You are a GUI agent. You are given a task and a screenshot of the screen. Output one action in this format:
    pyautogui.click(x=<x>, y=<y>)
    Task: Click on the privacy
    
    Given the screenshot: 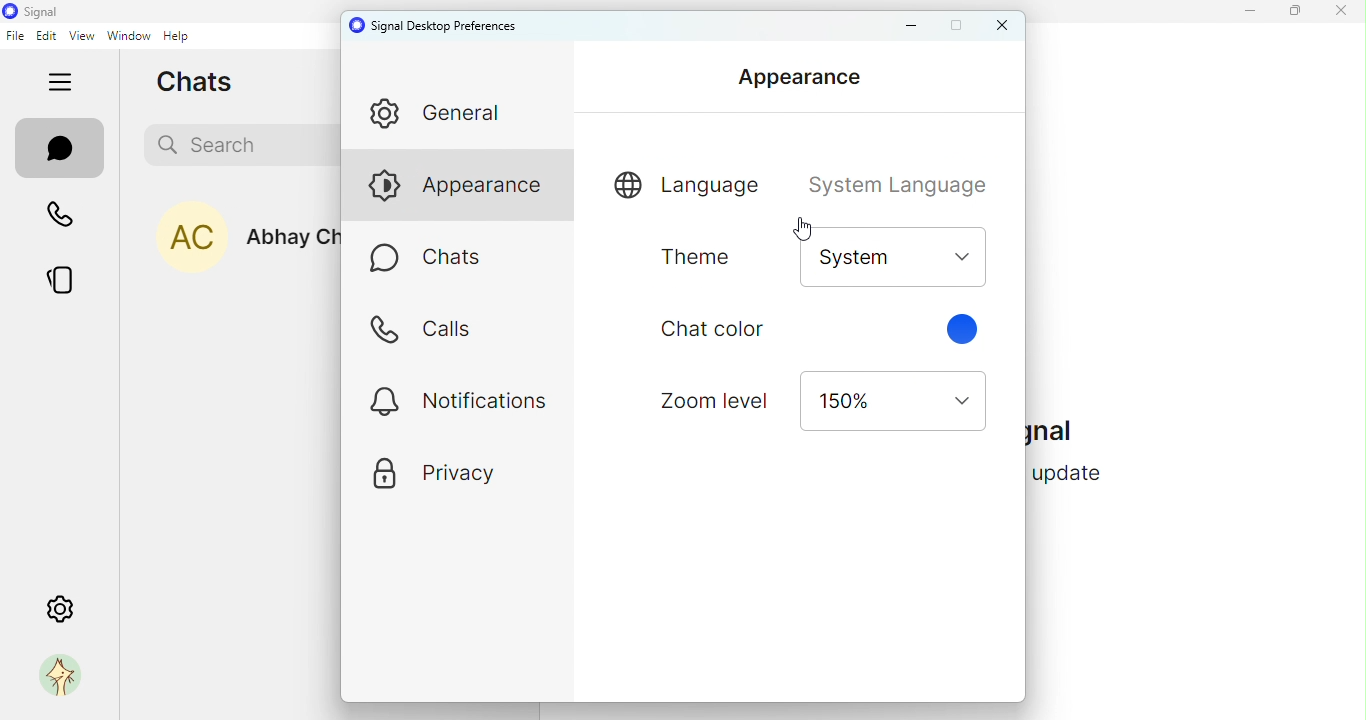 What is the action you would take?
    pyautogui.click(x=441, y=474)
    